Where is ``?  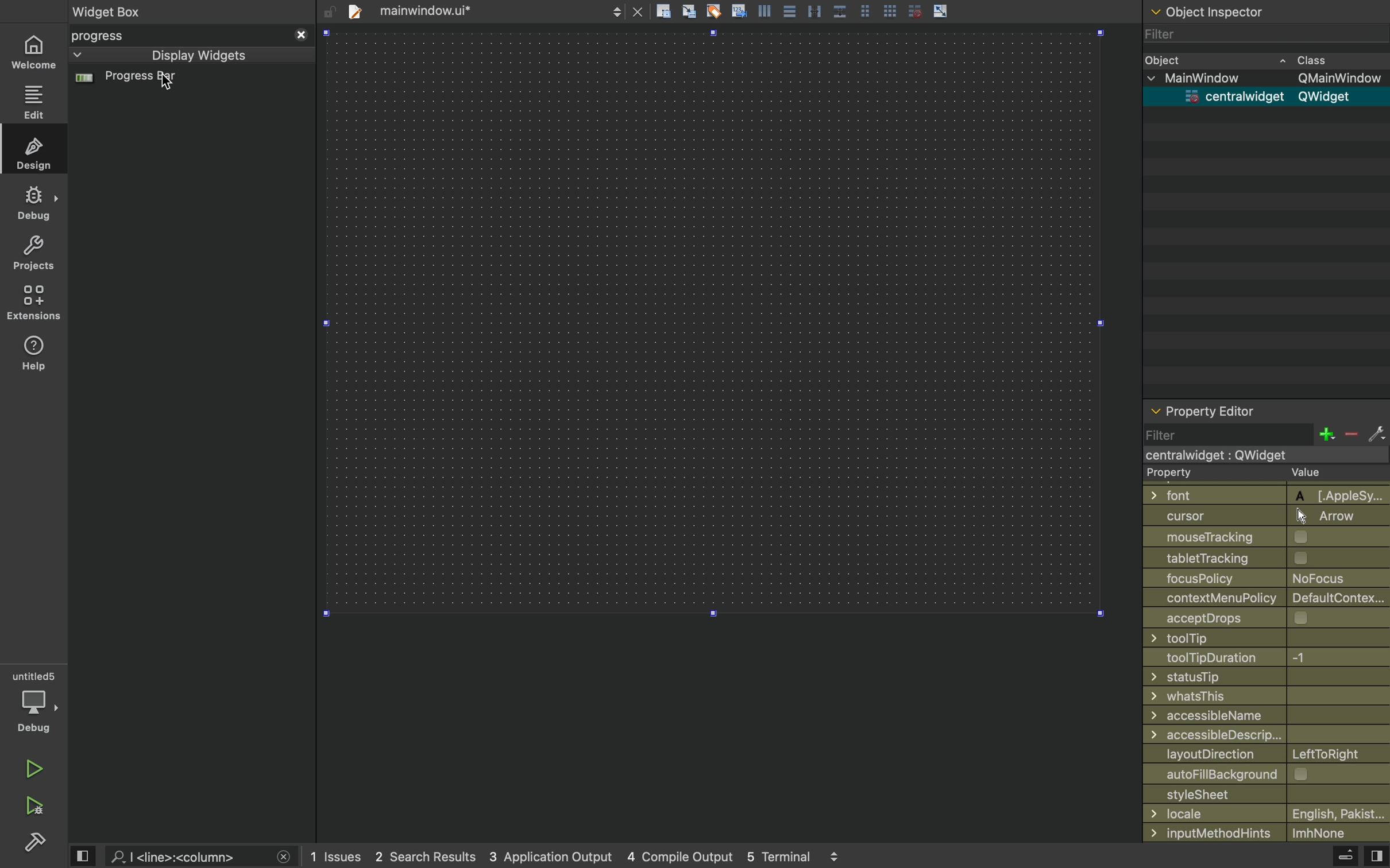  is located at coordinates (78, 858).